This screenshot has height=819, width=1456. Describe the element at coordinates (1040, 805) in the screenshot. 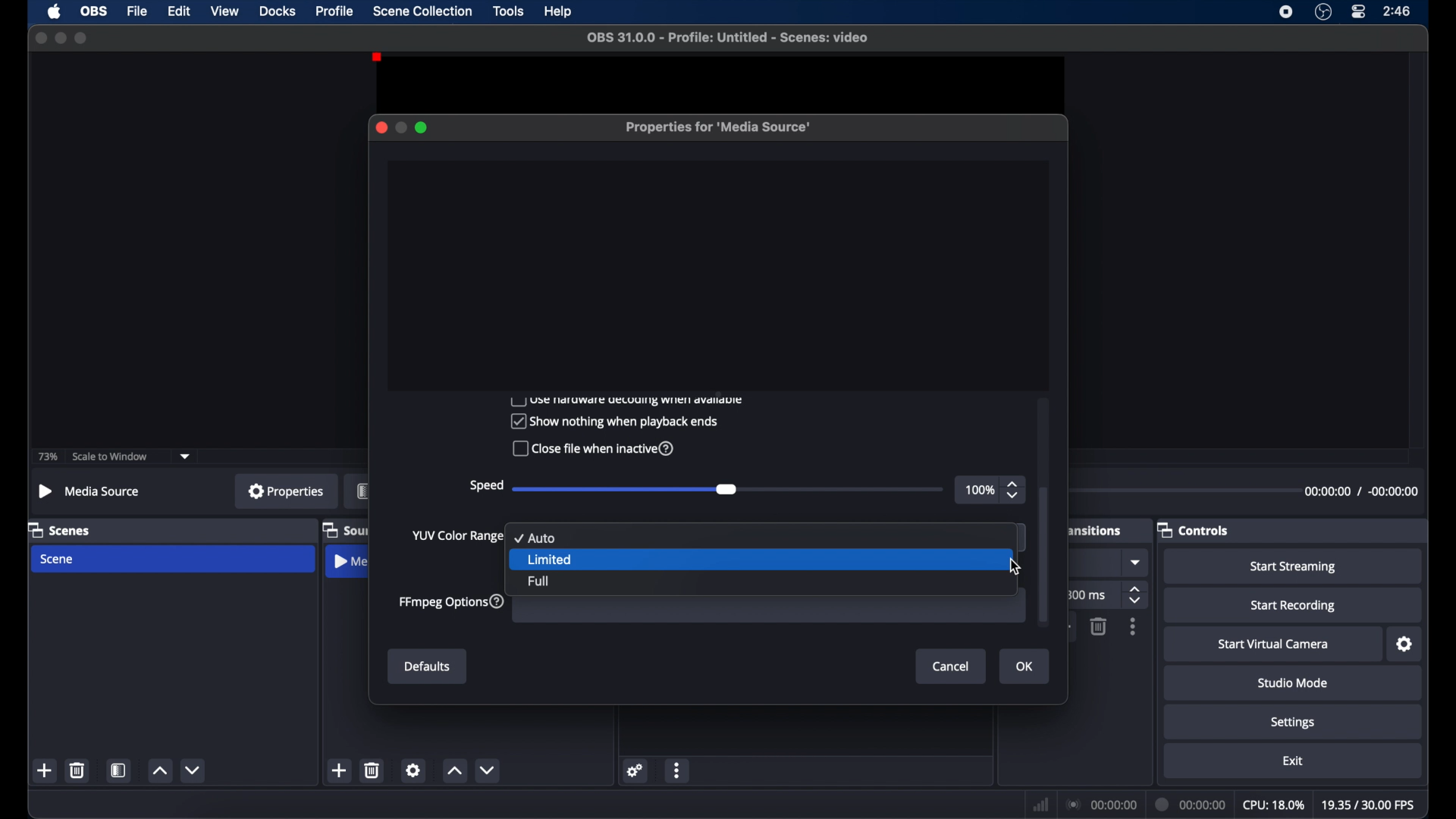

I see `network` at that location.